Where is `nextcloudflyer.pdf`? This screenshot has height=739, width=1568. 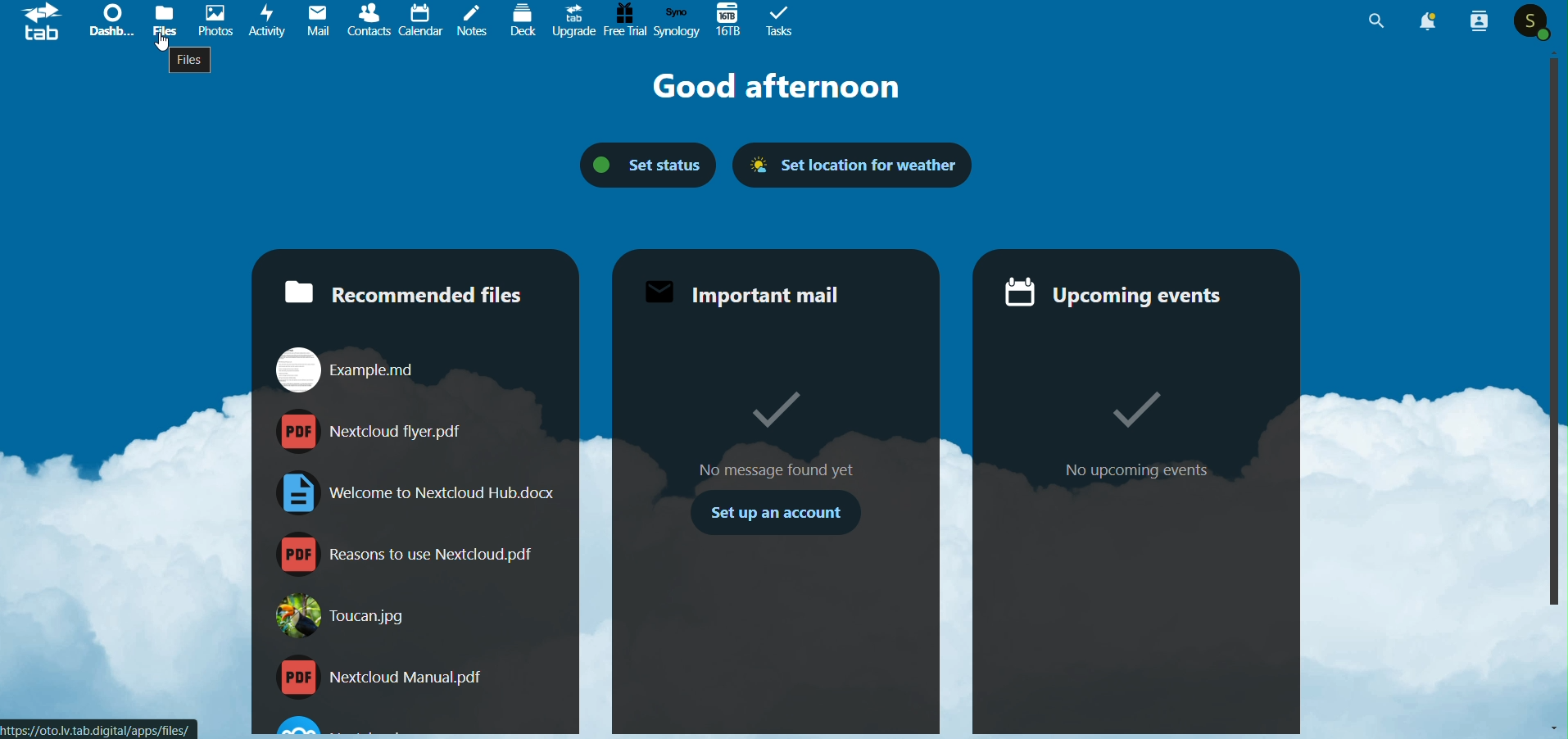
nextcloudflyer.pdf is located at coordinates (382, 433).